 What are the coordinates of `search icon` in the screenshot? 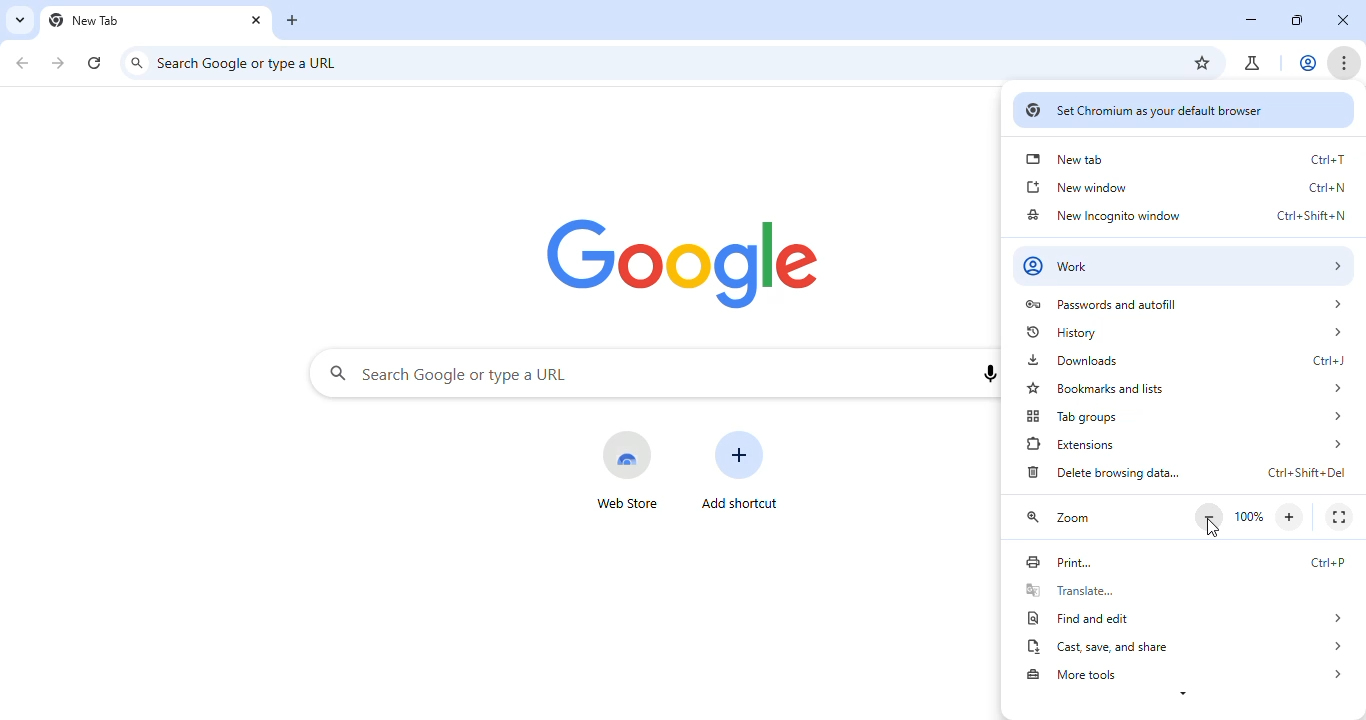 It's located at (138, 63).